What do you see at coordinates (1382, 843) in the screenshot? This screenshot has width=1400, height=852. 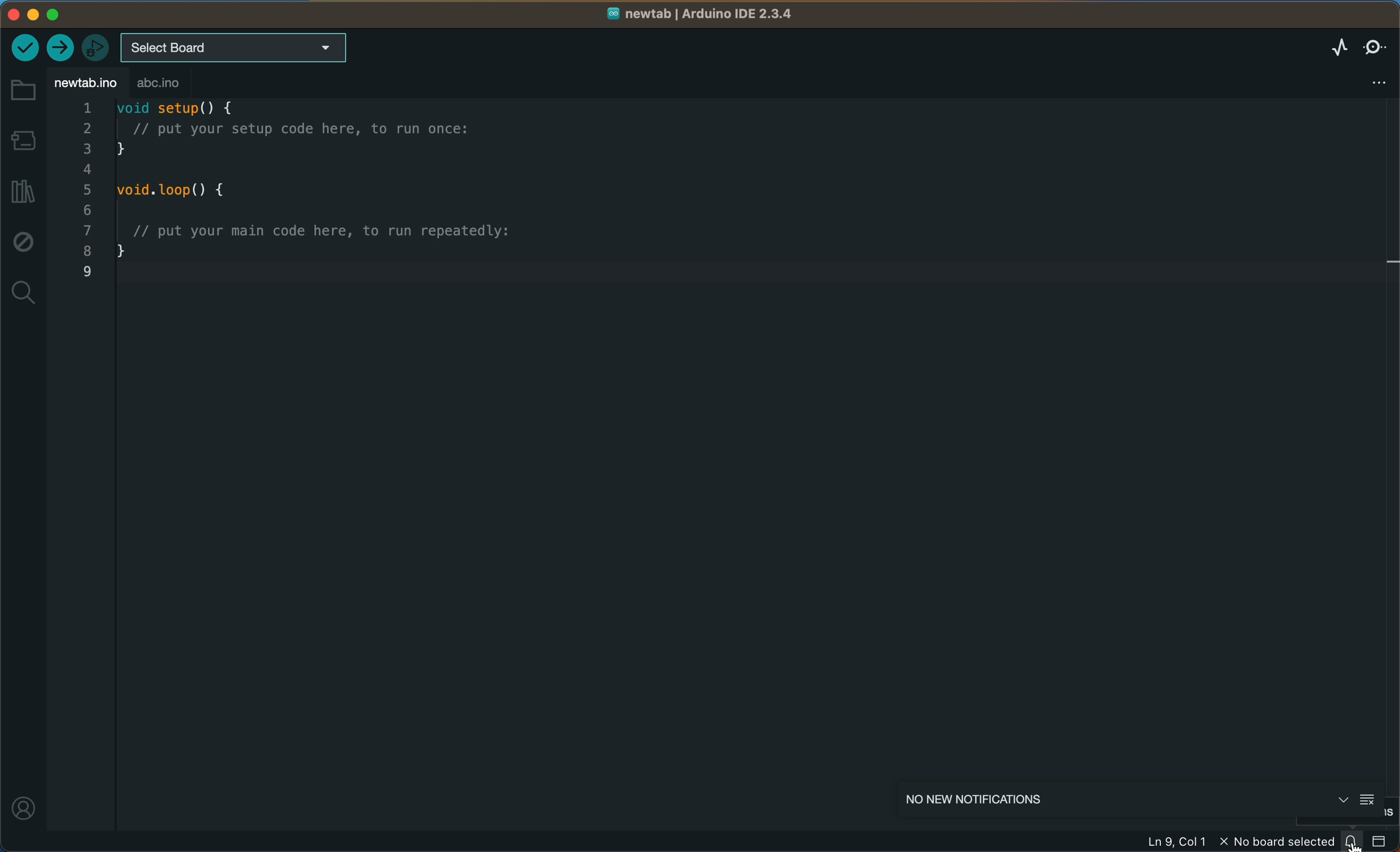 I see `close slide bar` at bounding box center [1382, 843].